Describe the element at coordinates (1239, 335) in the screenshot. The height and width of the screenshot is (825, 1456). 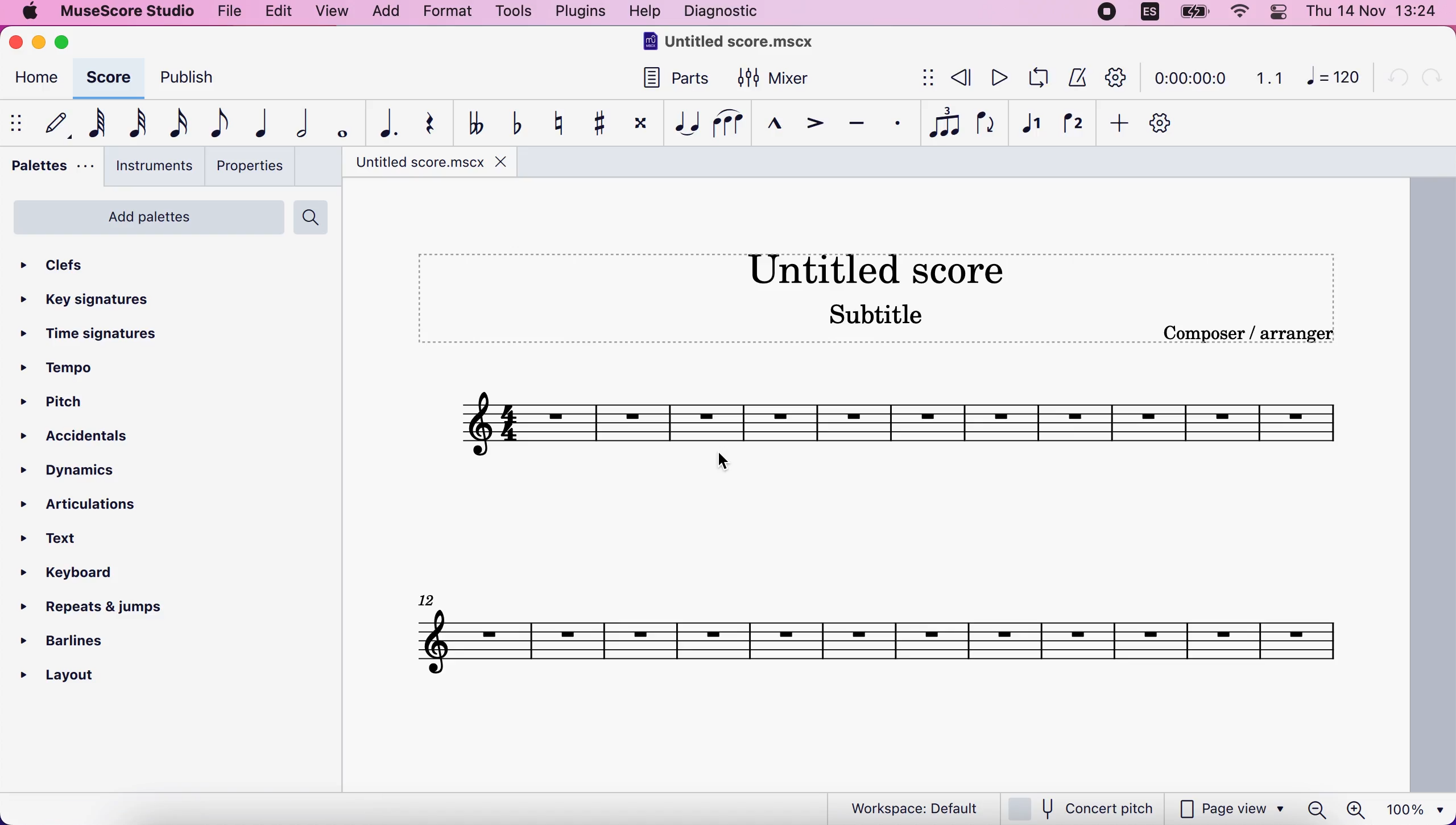
I see `composer/arranger` at that location.